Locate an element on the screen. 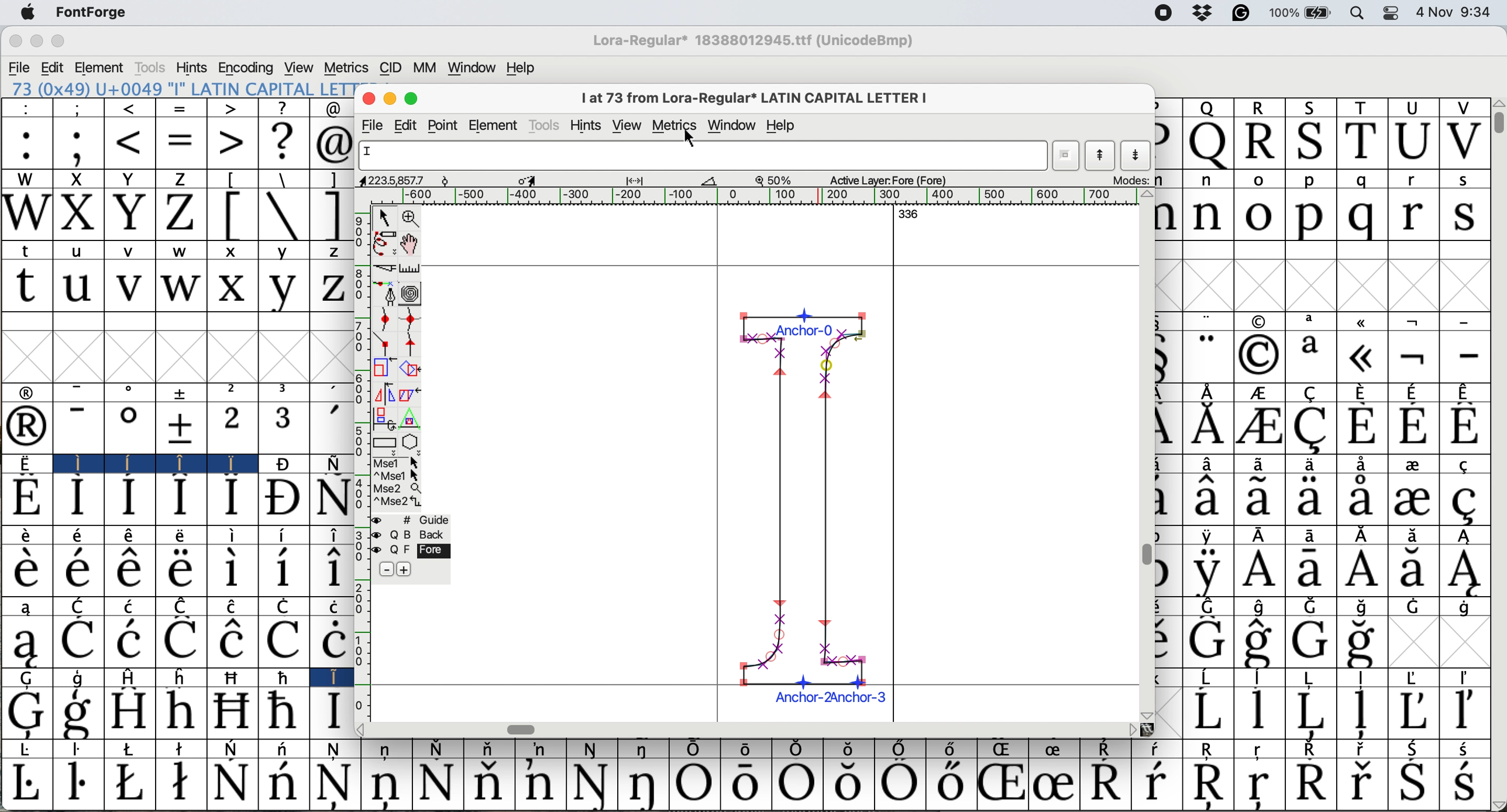 Image resolution: width=1507 pixels, height=812 pixels. font forge is located at coordinates (98, 12).